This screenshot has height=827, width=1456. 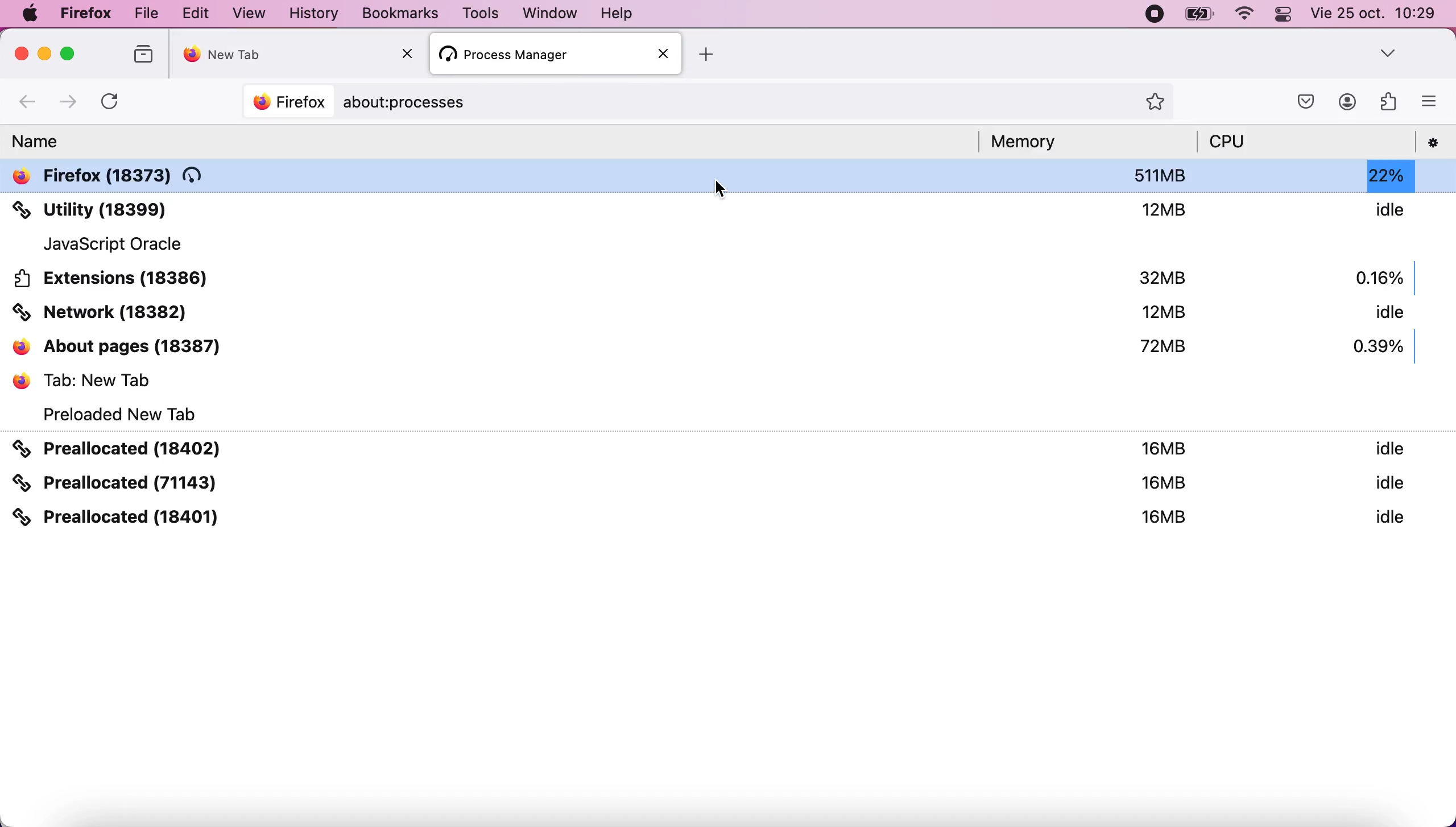 I want to click on More option, so click(x=1430, y=100).